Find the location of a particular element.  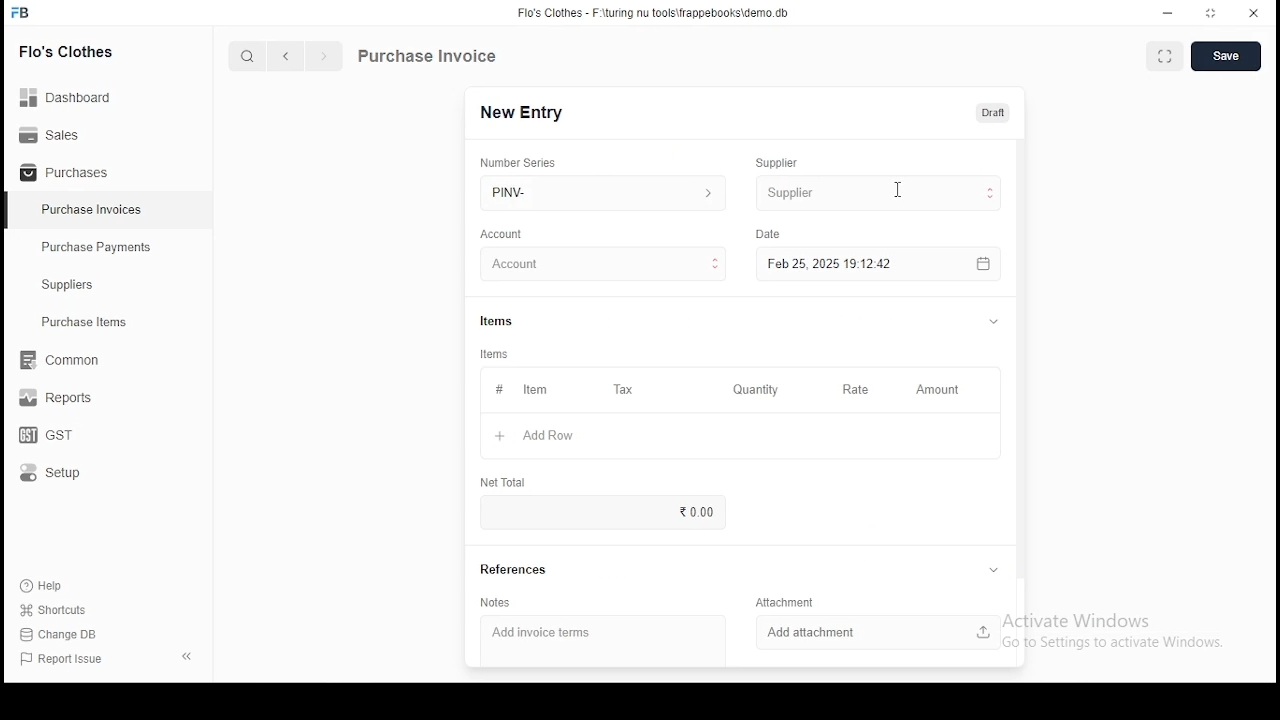

common is located at coordinates (65, 360).